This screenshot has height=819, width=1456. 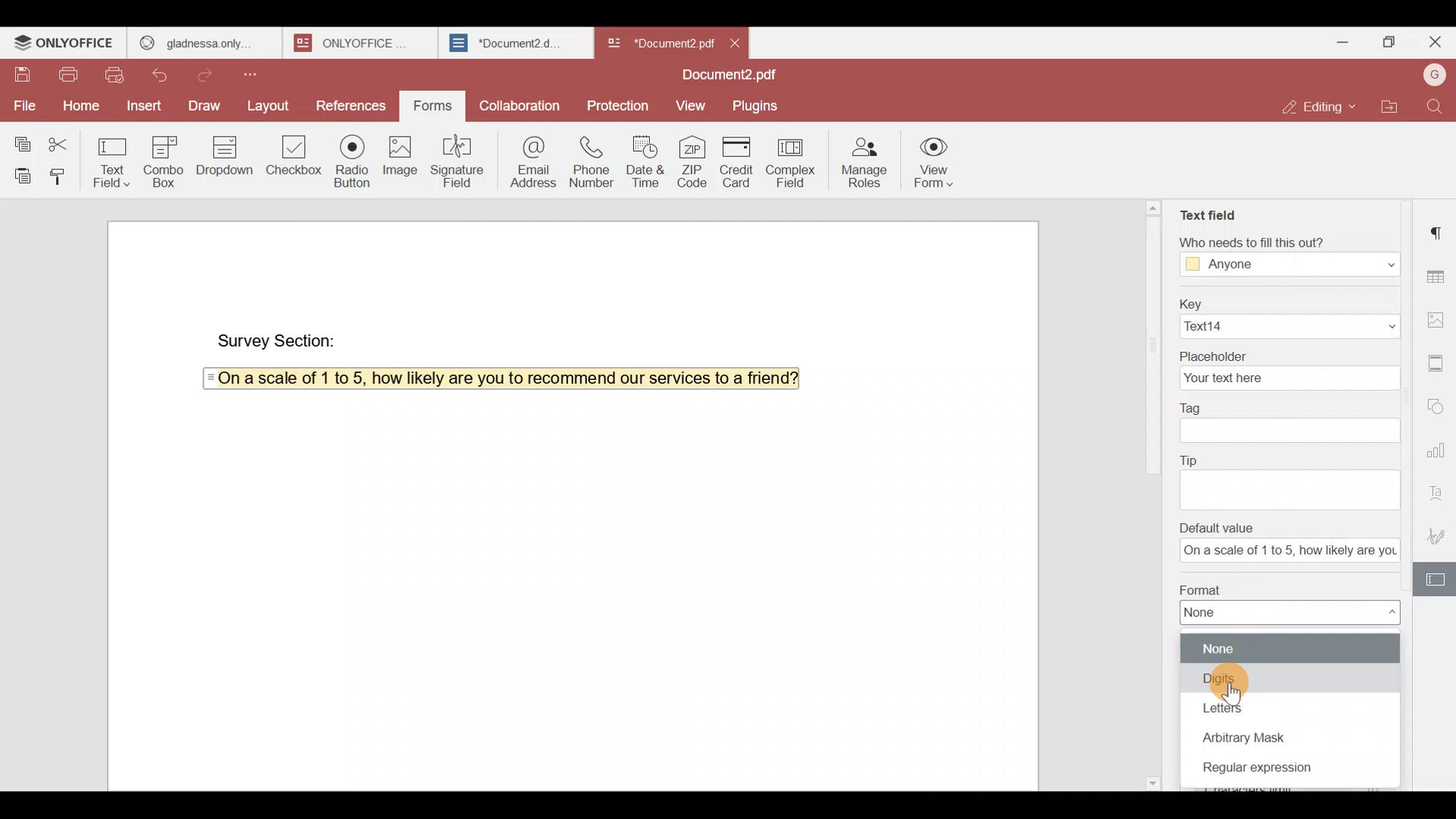 I want to click on Find, so click(x=1439, y=107).